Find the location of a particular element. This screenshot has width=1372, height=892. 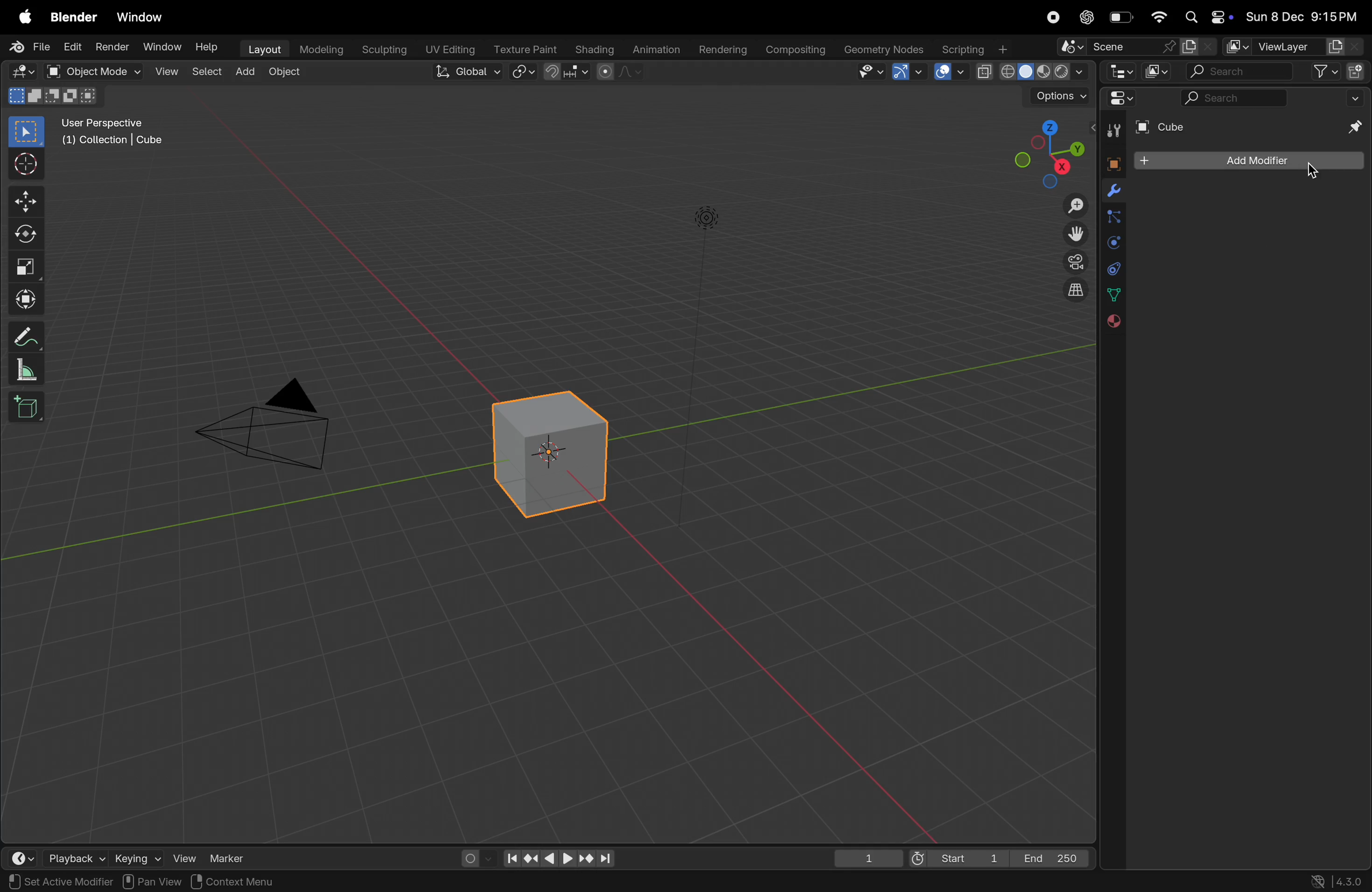

record is located at coordinates (1051, 17).